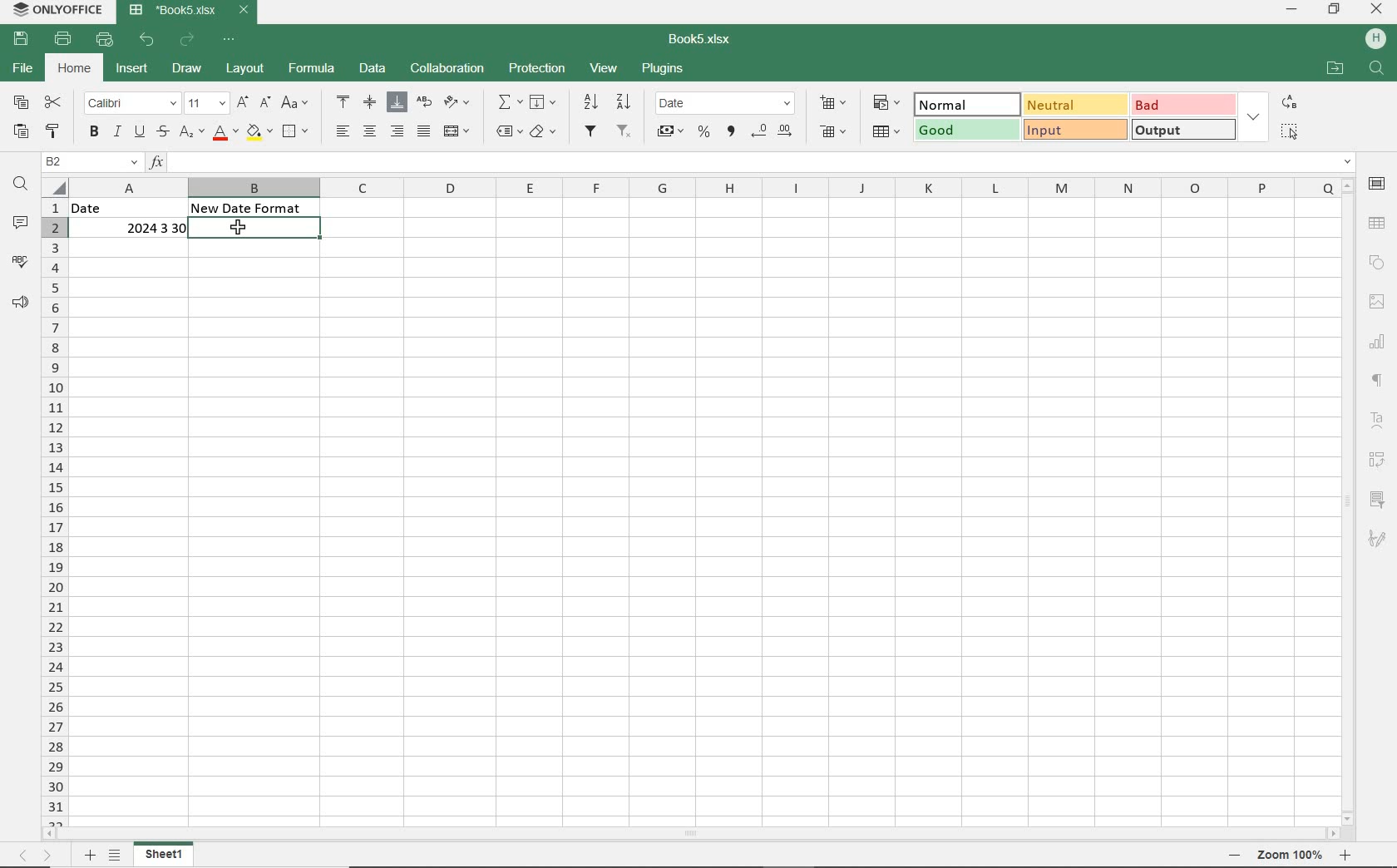 The height and width of the screenshot is (868, 1397). What do you see at coordinates (1377, 264) in the screenshot?
I see `SHAPE` at bounding box center [1377, 264].